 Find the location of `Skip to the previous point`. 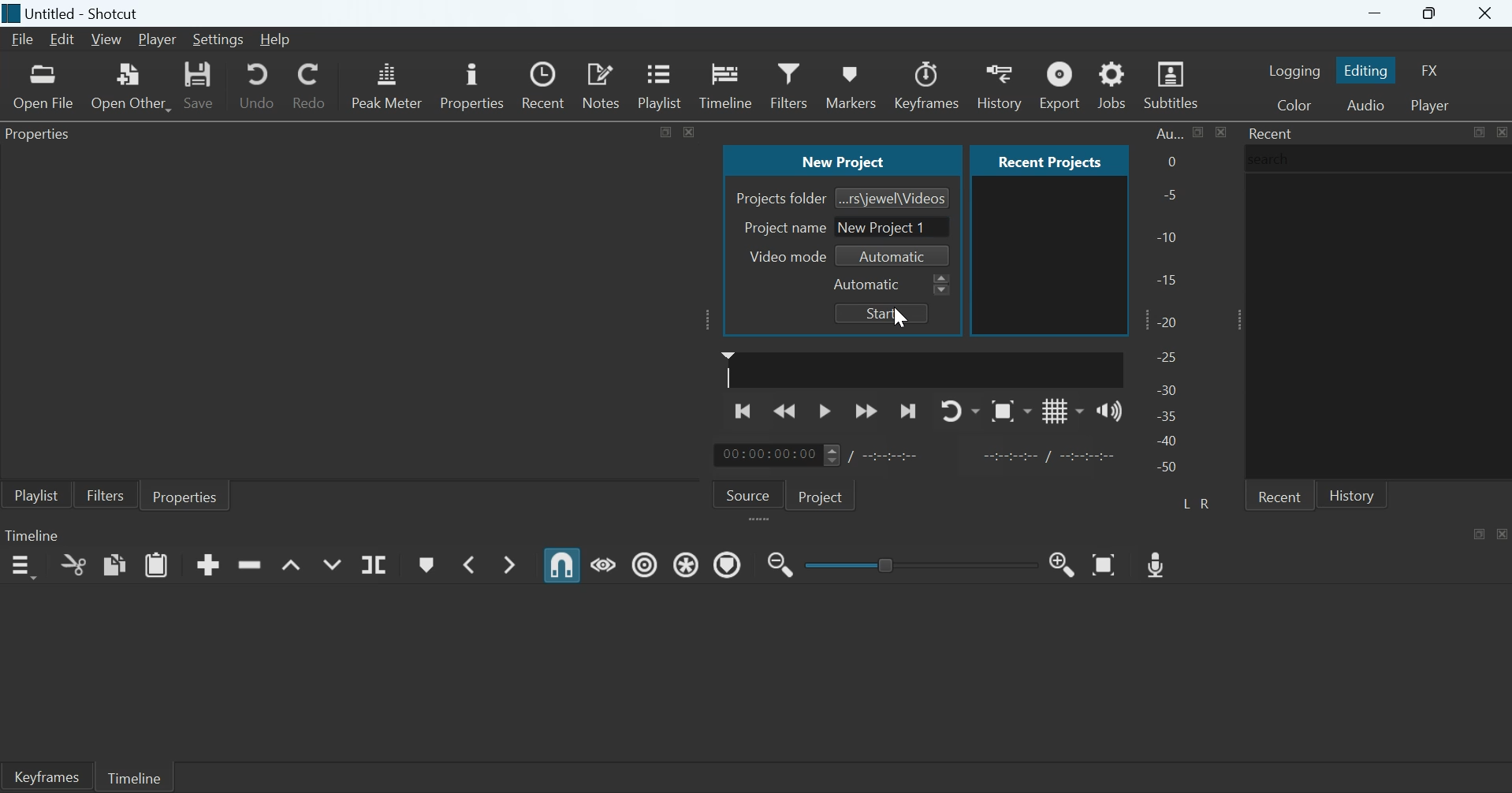

Skip to the previous point is located at coordinates (745, 409).